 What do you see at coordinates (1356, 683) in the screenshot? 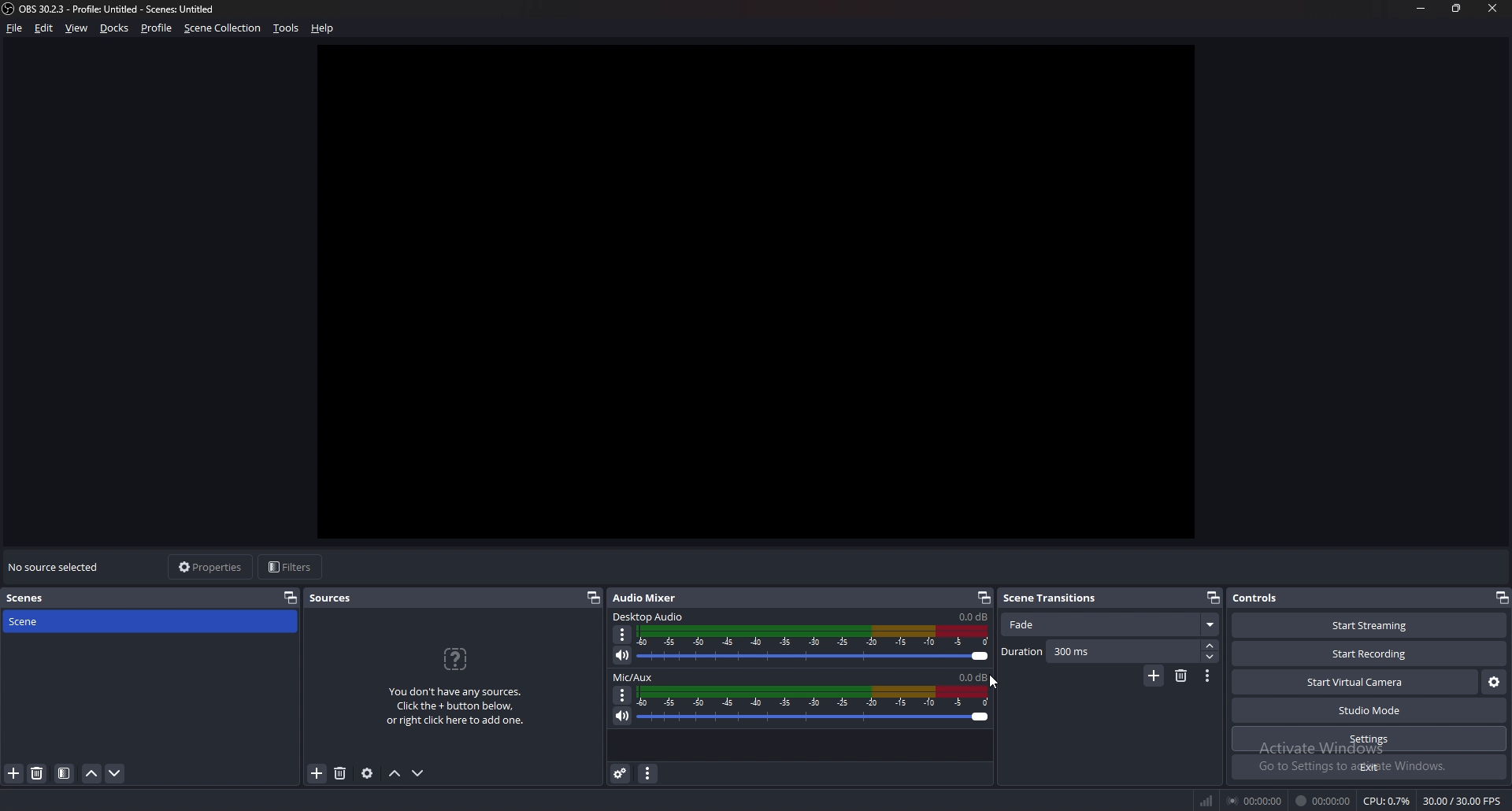
I see `start virtual camera` at bounding box center [1356, 683].